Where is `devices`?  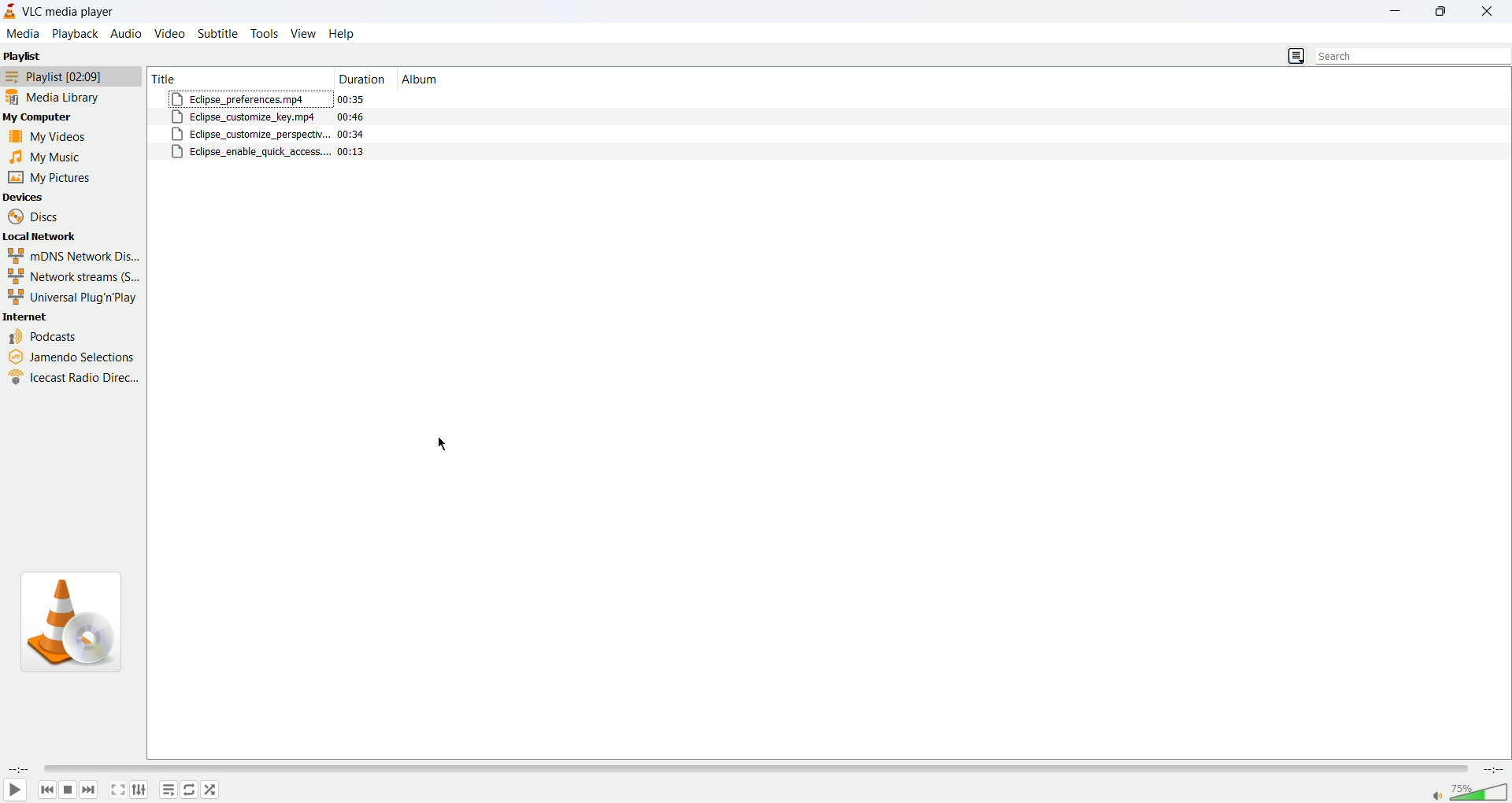 devices is located at coordinates (36, 197).